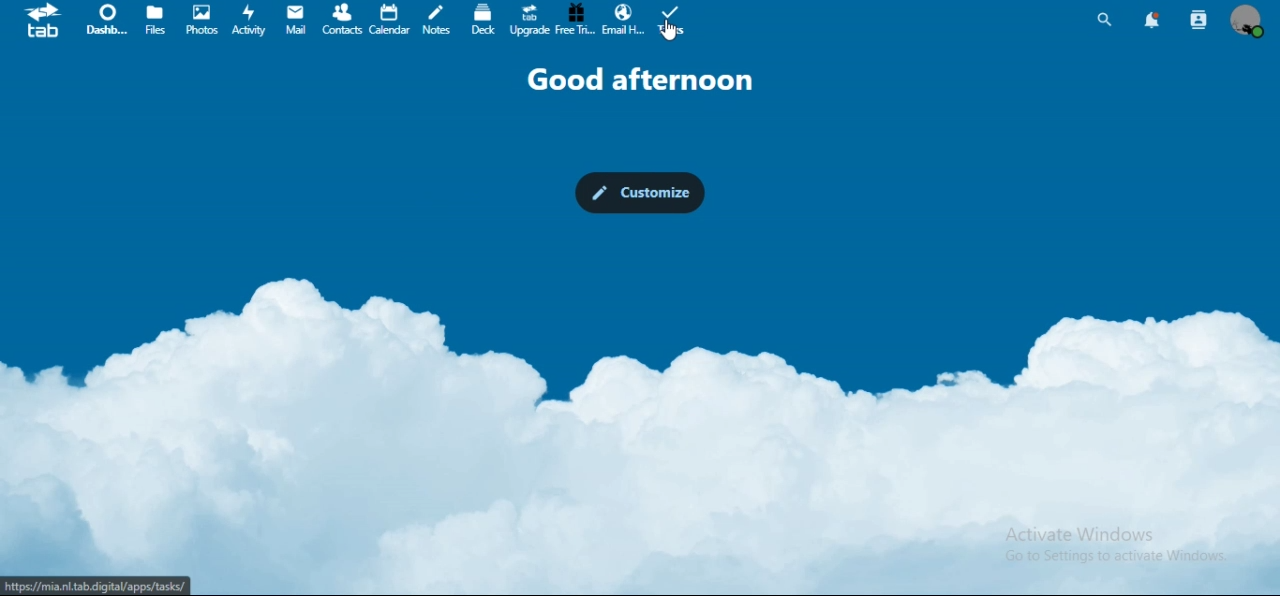 This screenshot has height=596, width=1280. What do you see at coordinates (342, 20) in the screenshot?
I see `contacts` at bounding box center [342, 20].